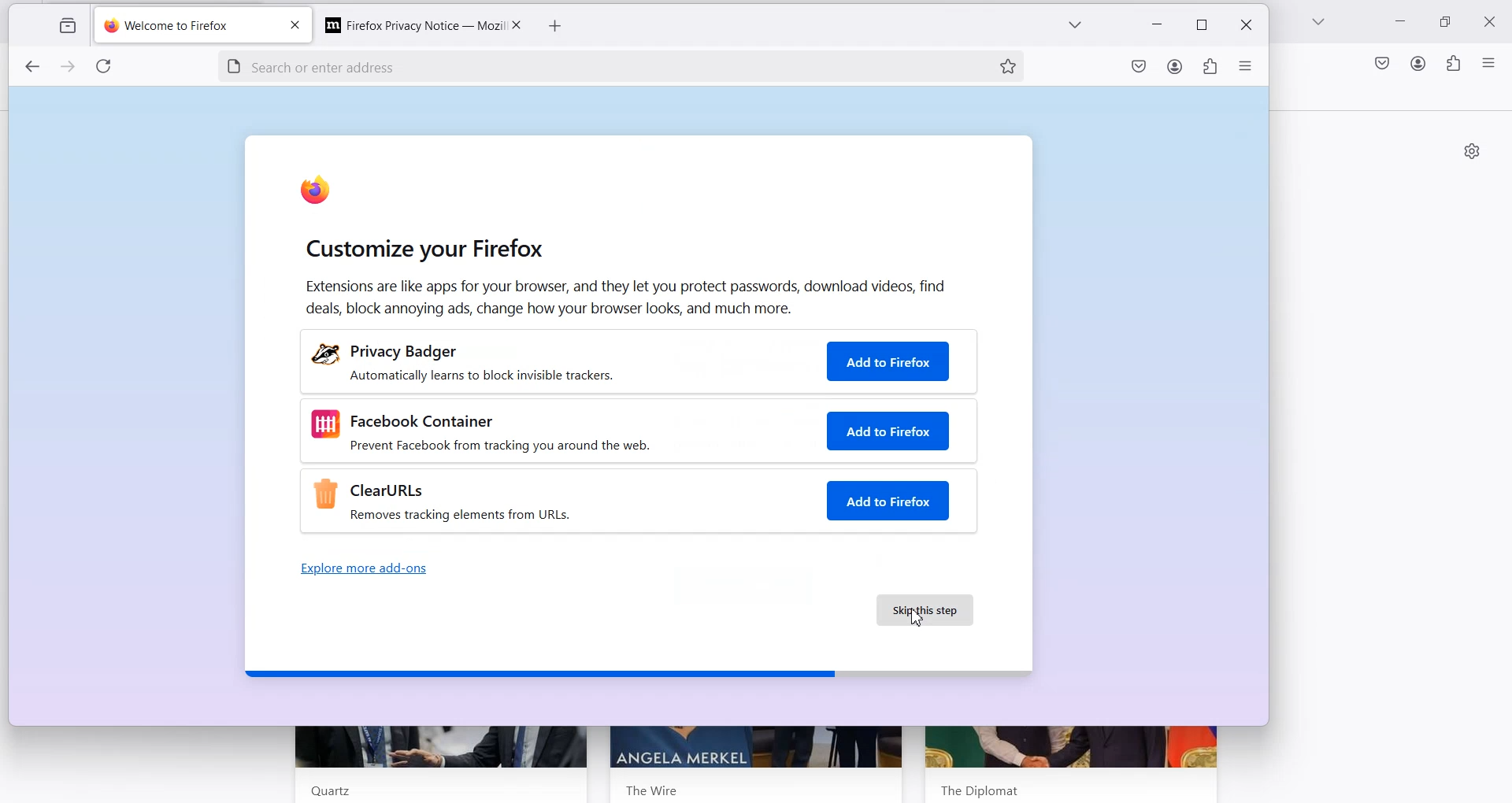 This screenshot has width=1512, height=803. What do you see at coordinates (1380, 63) in the screenshot?
I see `Save to Pocket` at bounding box center [1380, 63].